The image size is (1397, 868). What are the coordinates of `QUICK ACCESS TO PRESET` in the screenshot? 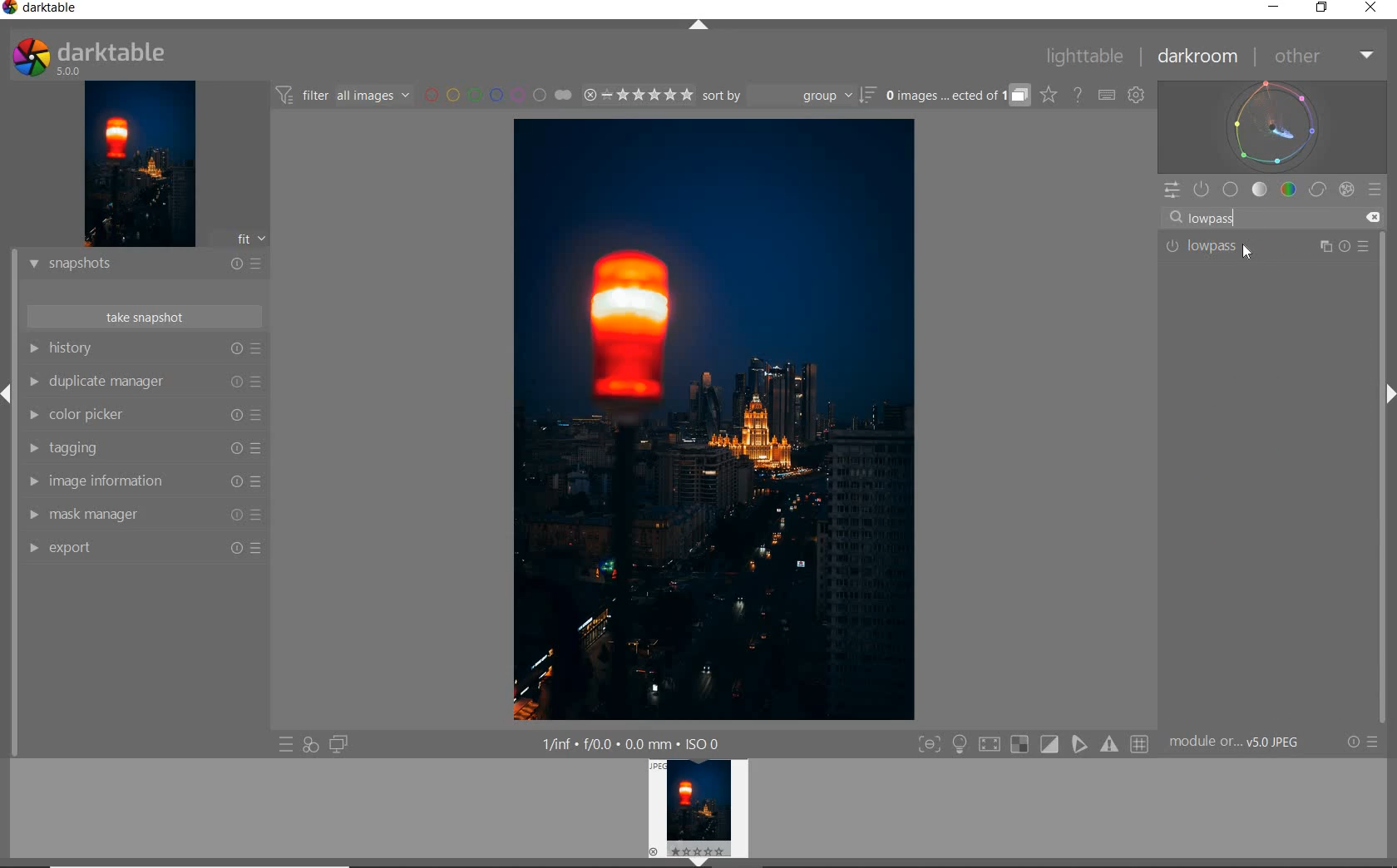 It's located at (286, 747).